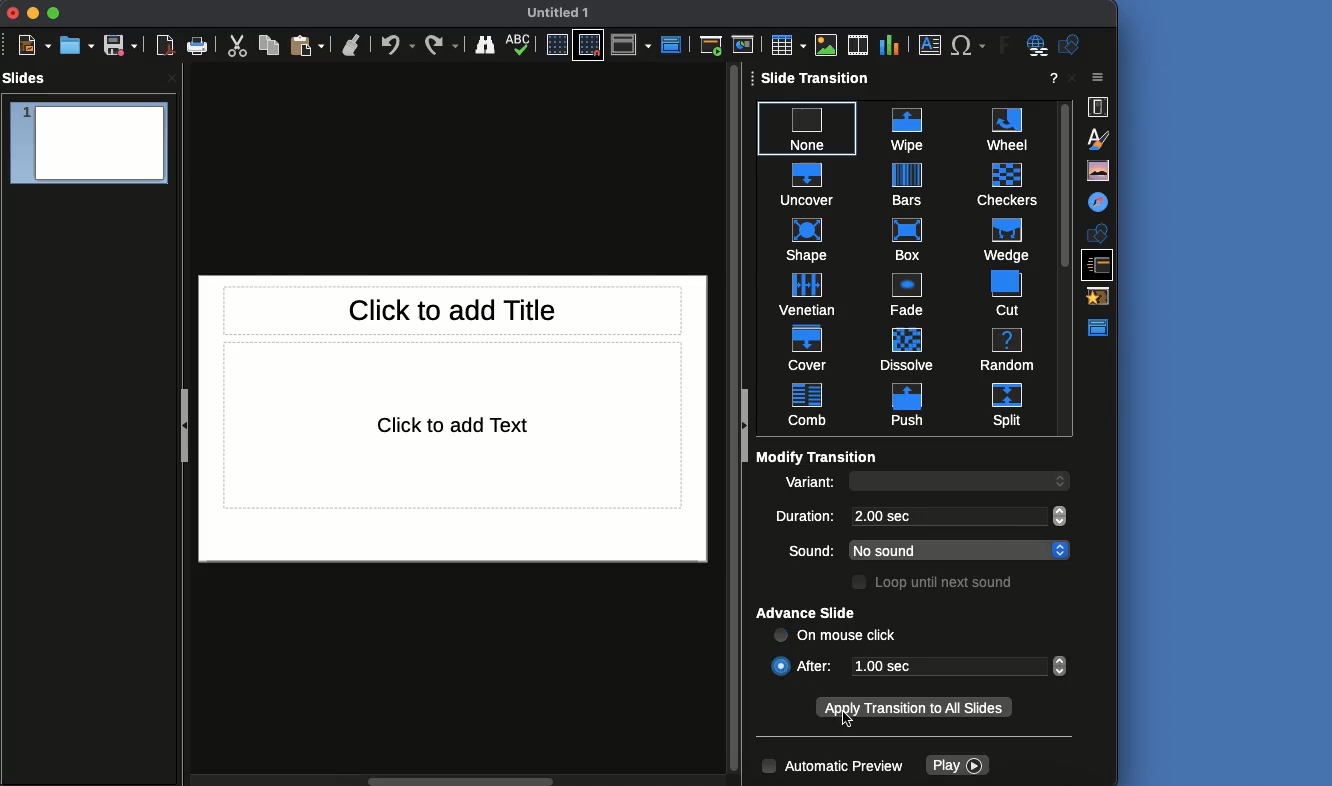 This screenshot has height=786, width=1332. I want to click on Finder, so click(488, 46).